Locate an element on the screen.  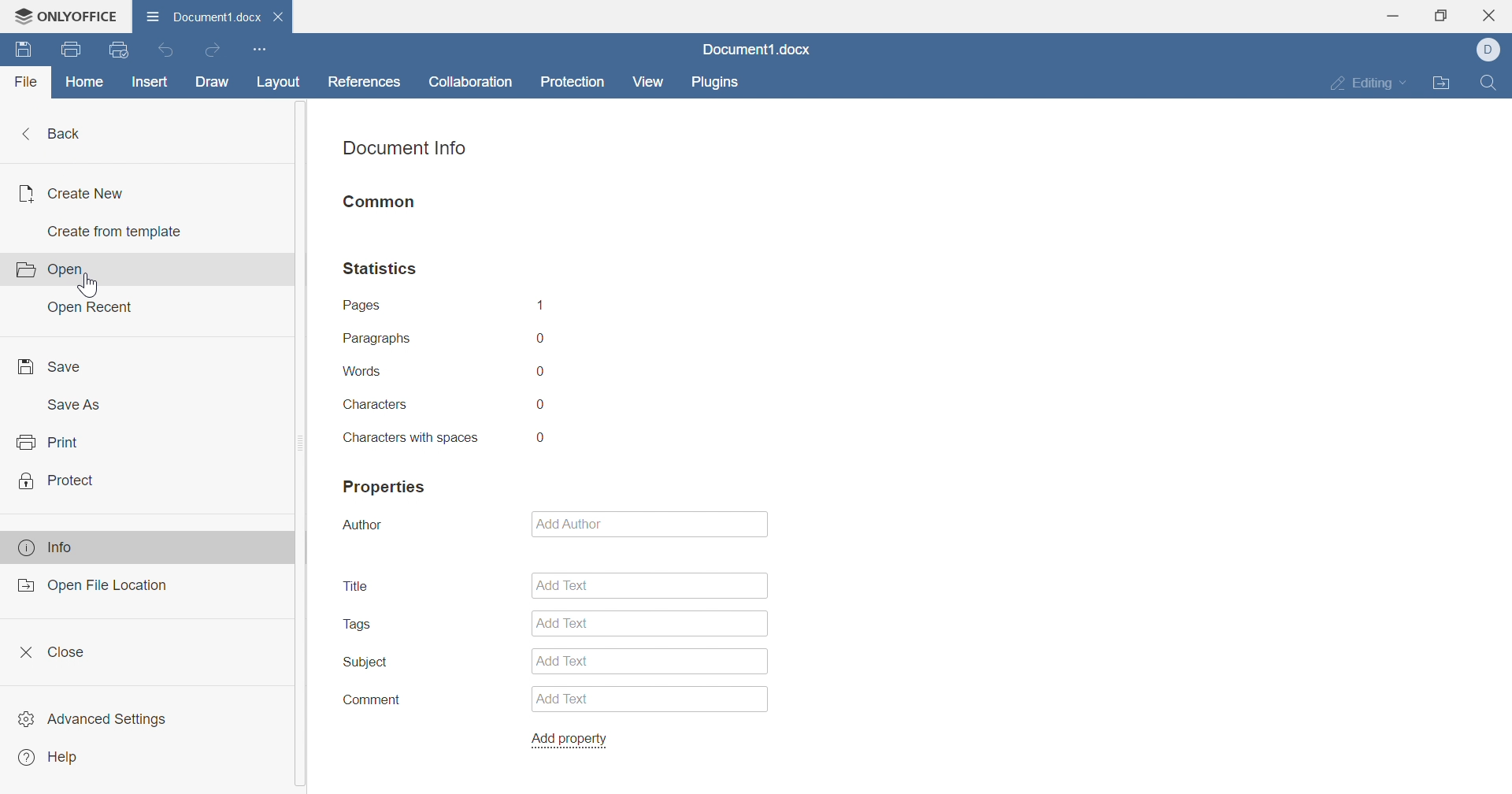
close is located at coordinates (53, 653).